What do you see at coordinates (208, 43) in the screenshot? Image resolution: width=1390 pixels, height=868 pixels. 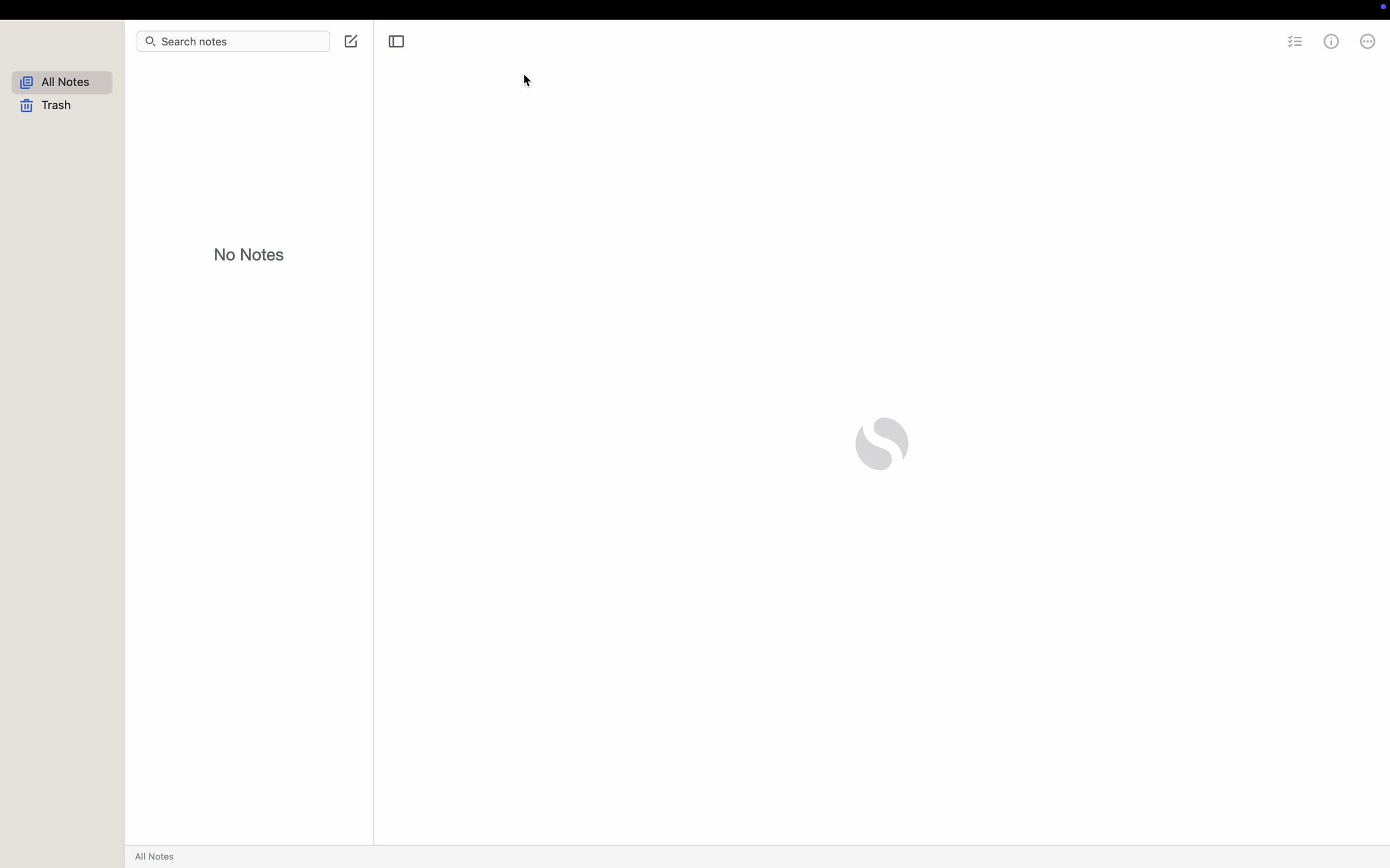 I see `search notes` at bounding box center [208, 43].